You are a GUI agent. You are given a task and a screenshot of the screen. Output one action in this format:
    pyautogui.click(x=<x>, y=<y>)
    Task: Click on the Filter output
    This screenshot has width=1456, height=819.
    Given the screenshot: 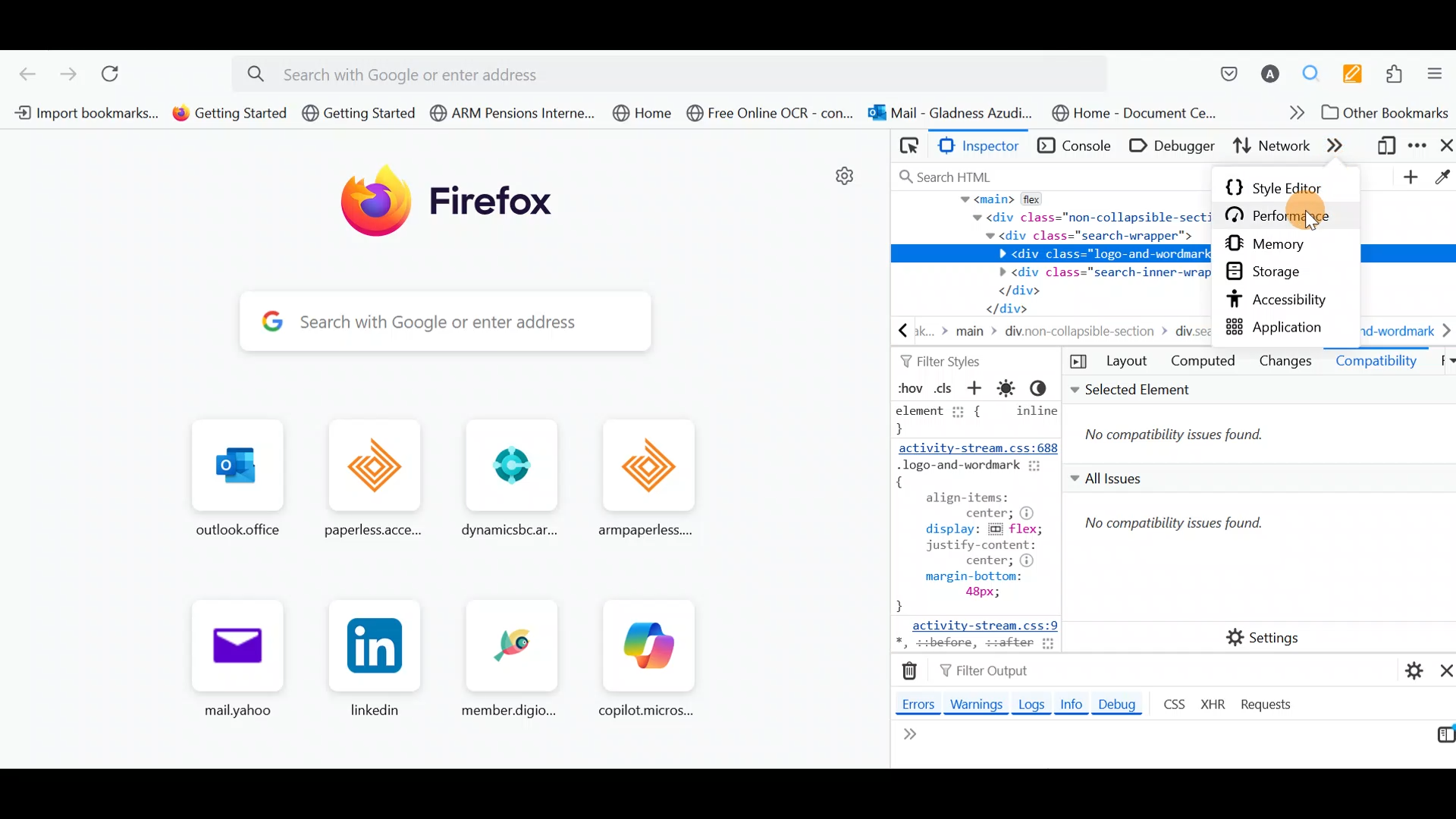 What is the action you would take?
    pyautogui.click(x=981, y=673)
    